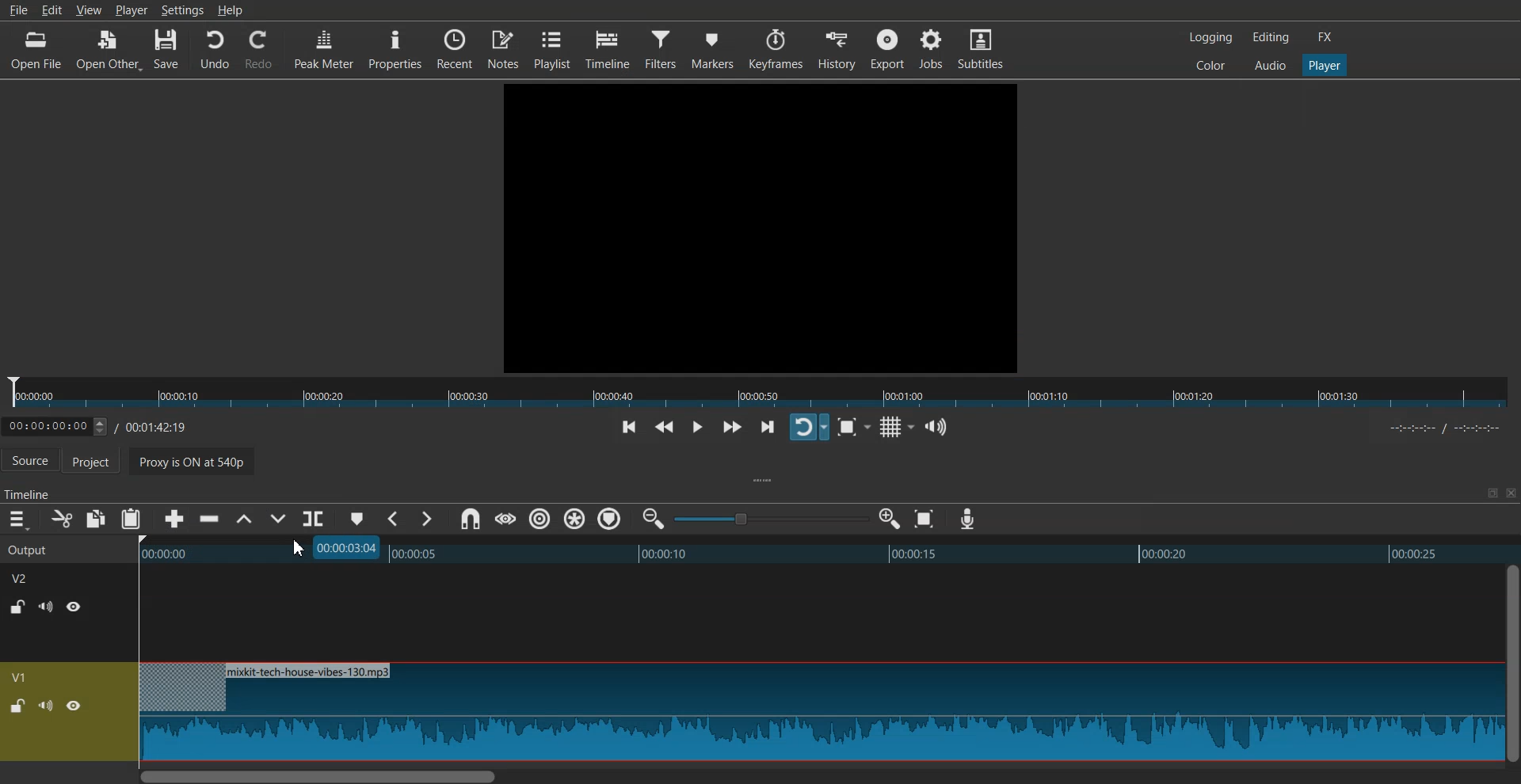 This screenshot has width=1521, height=784. What do you see at coordinates (210, 519) in the screenshot?
I see `Ripple delete` at bounding box center [210, 519].